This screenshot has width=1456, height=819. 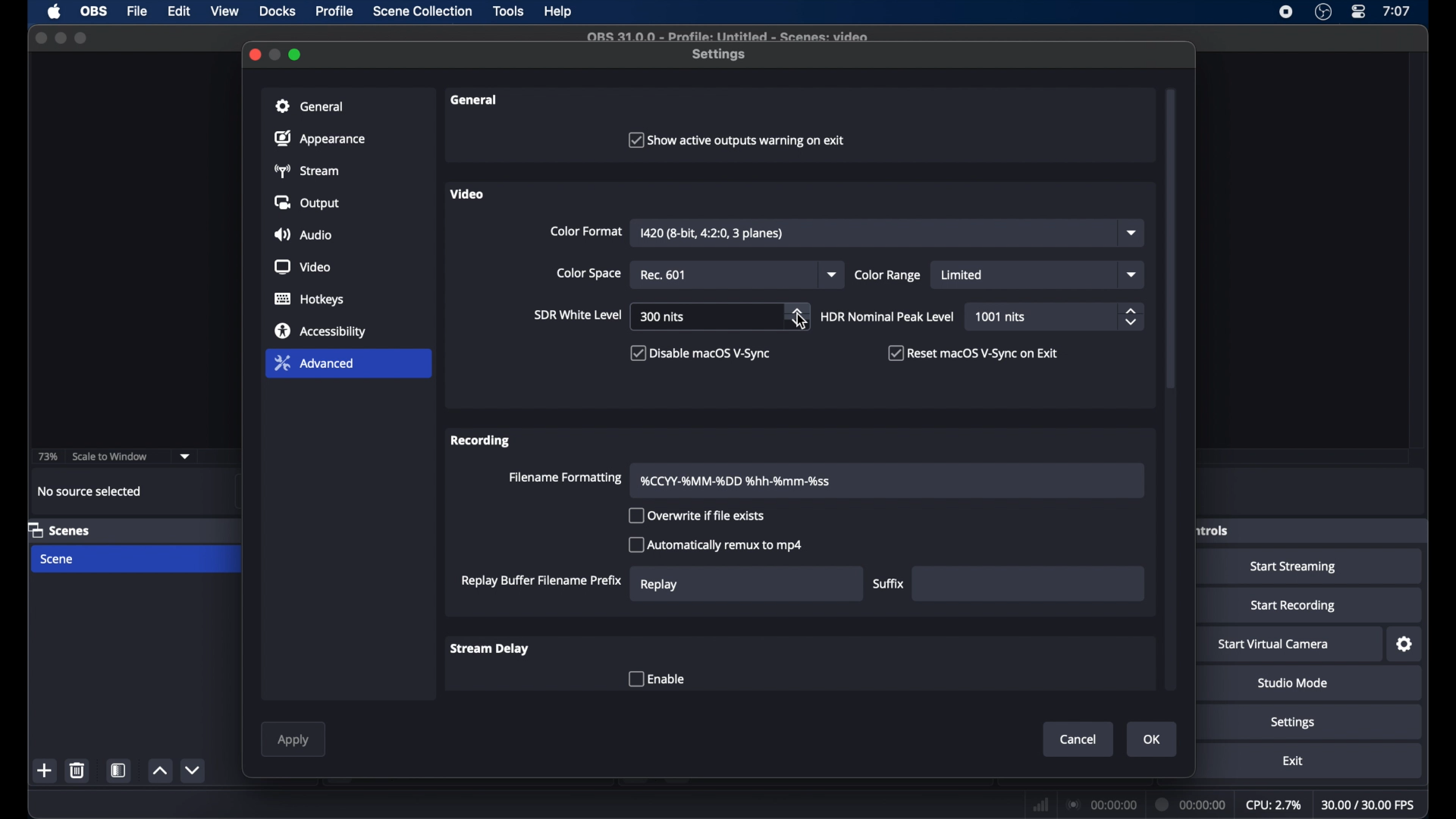 I want to click on apple icon, so click(x=54, y=11).